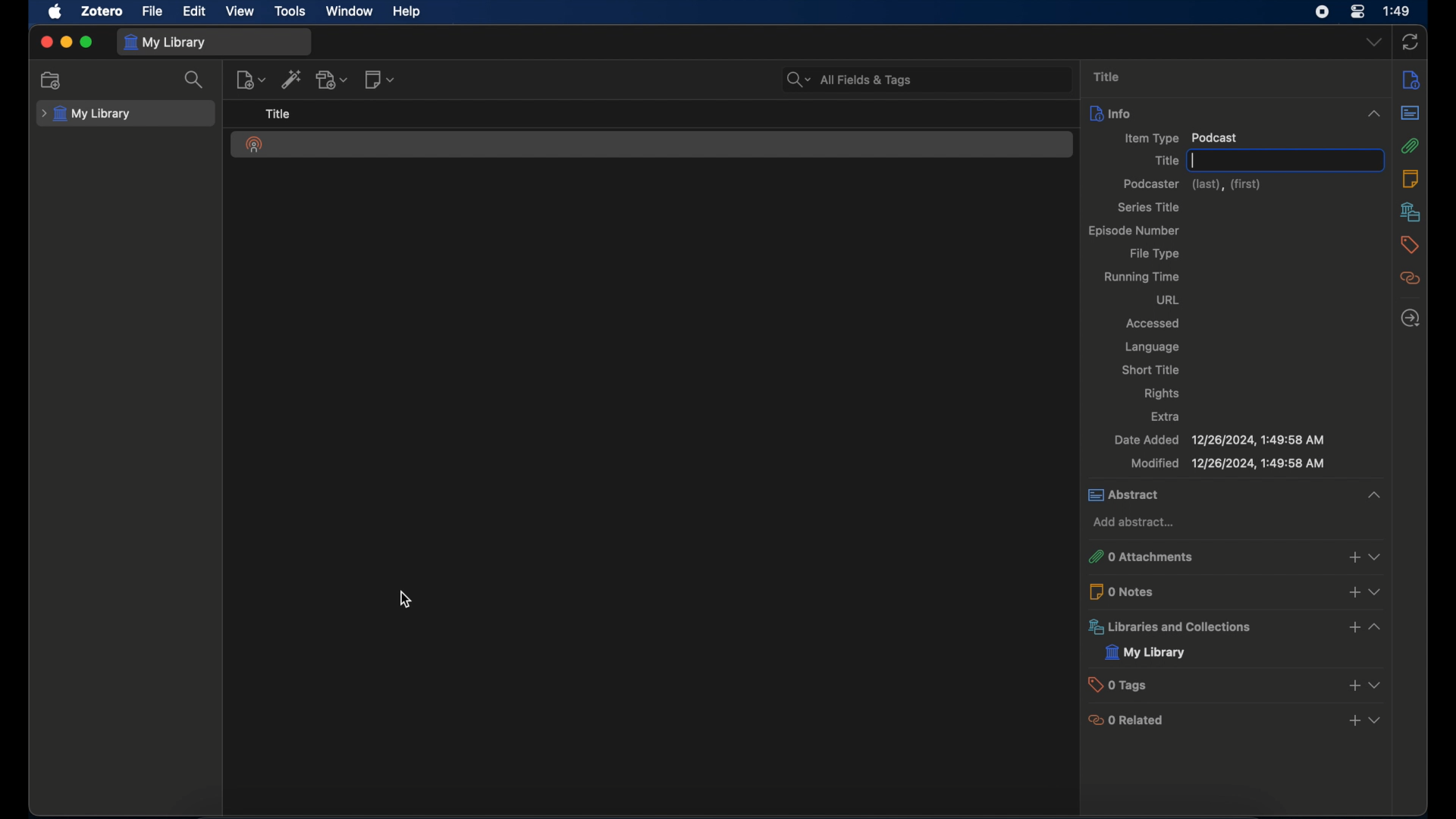  Describe the element at coordinates (291, 11) in the screenshot. I see `tools` at that location.